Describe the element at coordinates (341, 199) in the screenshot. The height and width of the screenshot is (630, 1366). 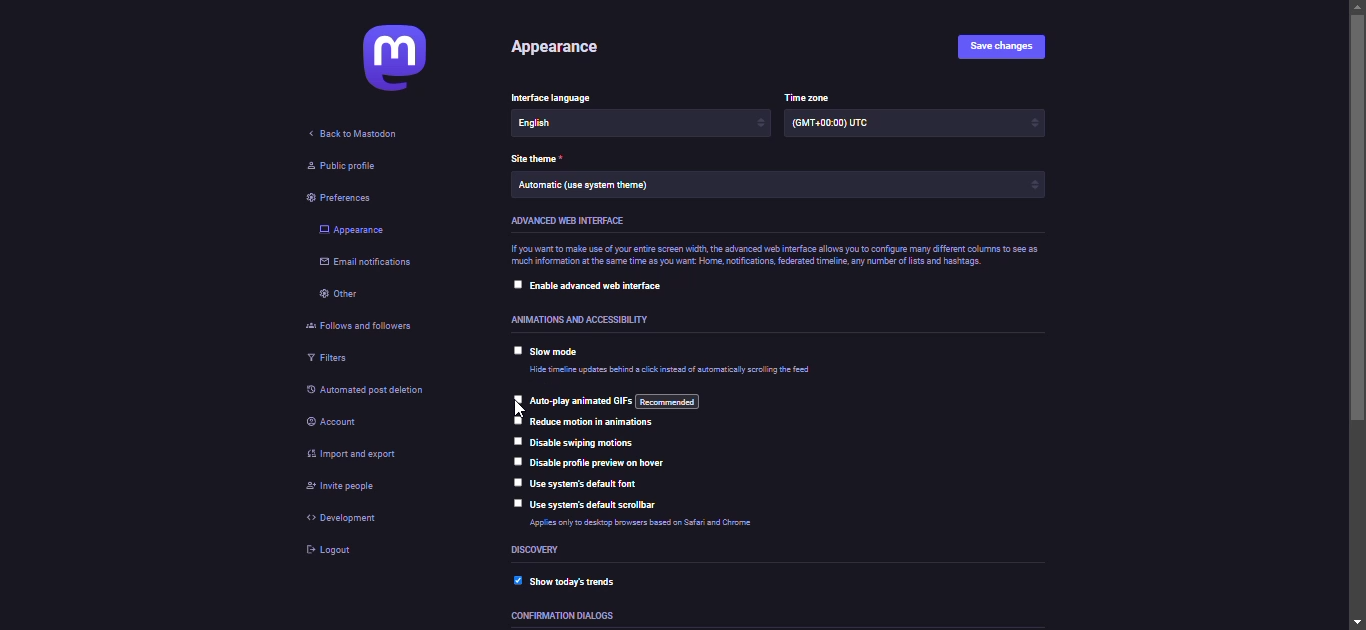
I see `preferences` at that location.